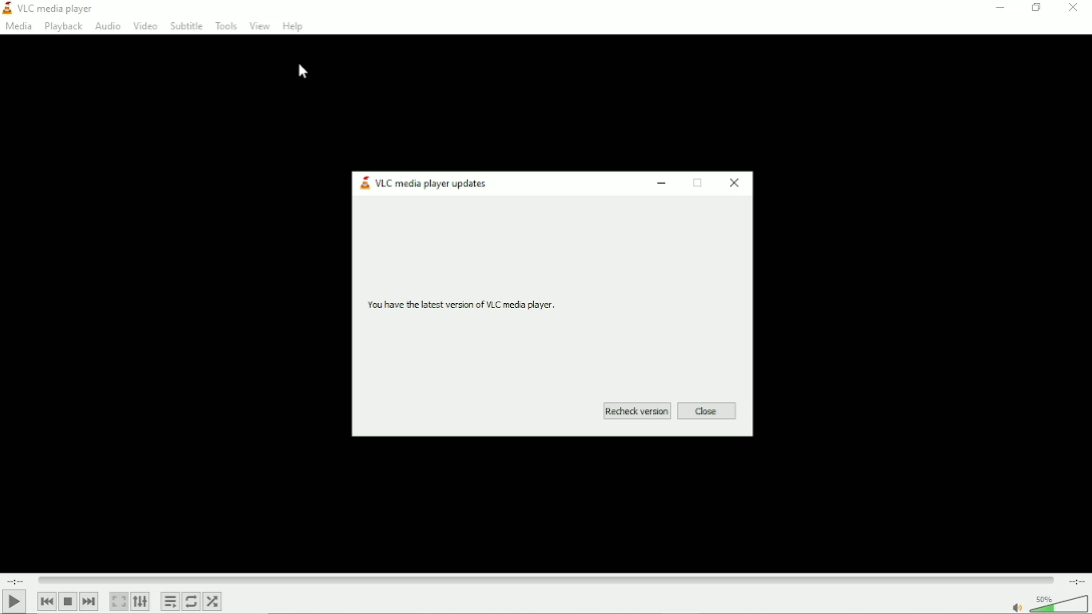 The height and width of the screenshot is (614, 1092). What do you see at coordinates (734, 183) in the screenshot?
I see `Close` at bounding box center [734, 183].